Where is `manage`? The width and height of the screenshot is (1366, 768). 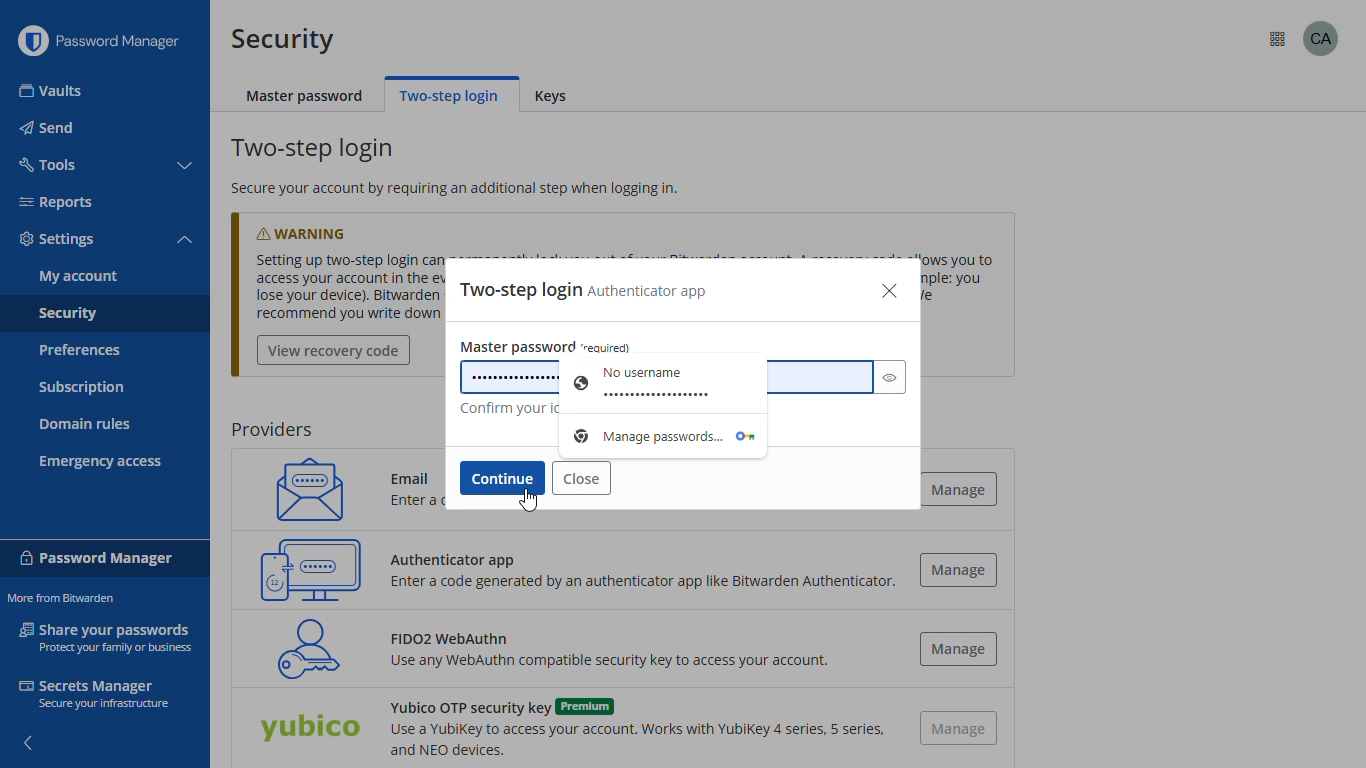 manage is located at coordinates (958, 649).